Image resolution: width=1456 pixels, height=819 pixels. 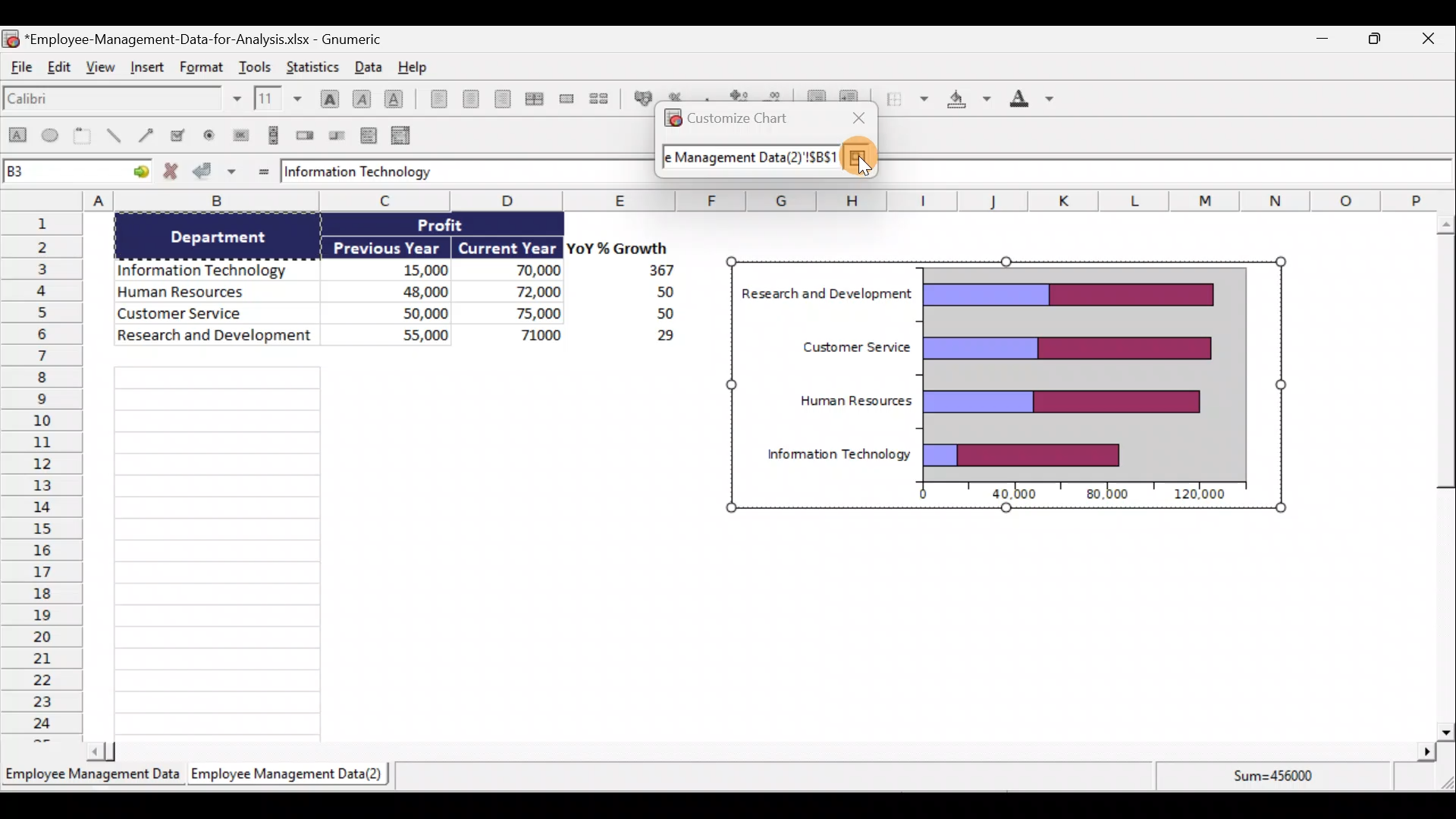 What do you see at coordinates (149, 72) in the screenshot?
I see `Insert` at bounding box center [149, 72].